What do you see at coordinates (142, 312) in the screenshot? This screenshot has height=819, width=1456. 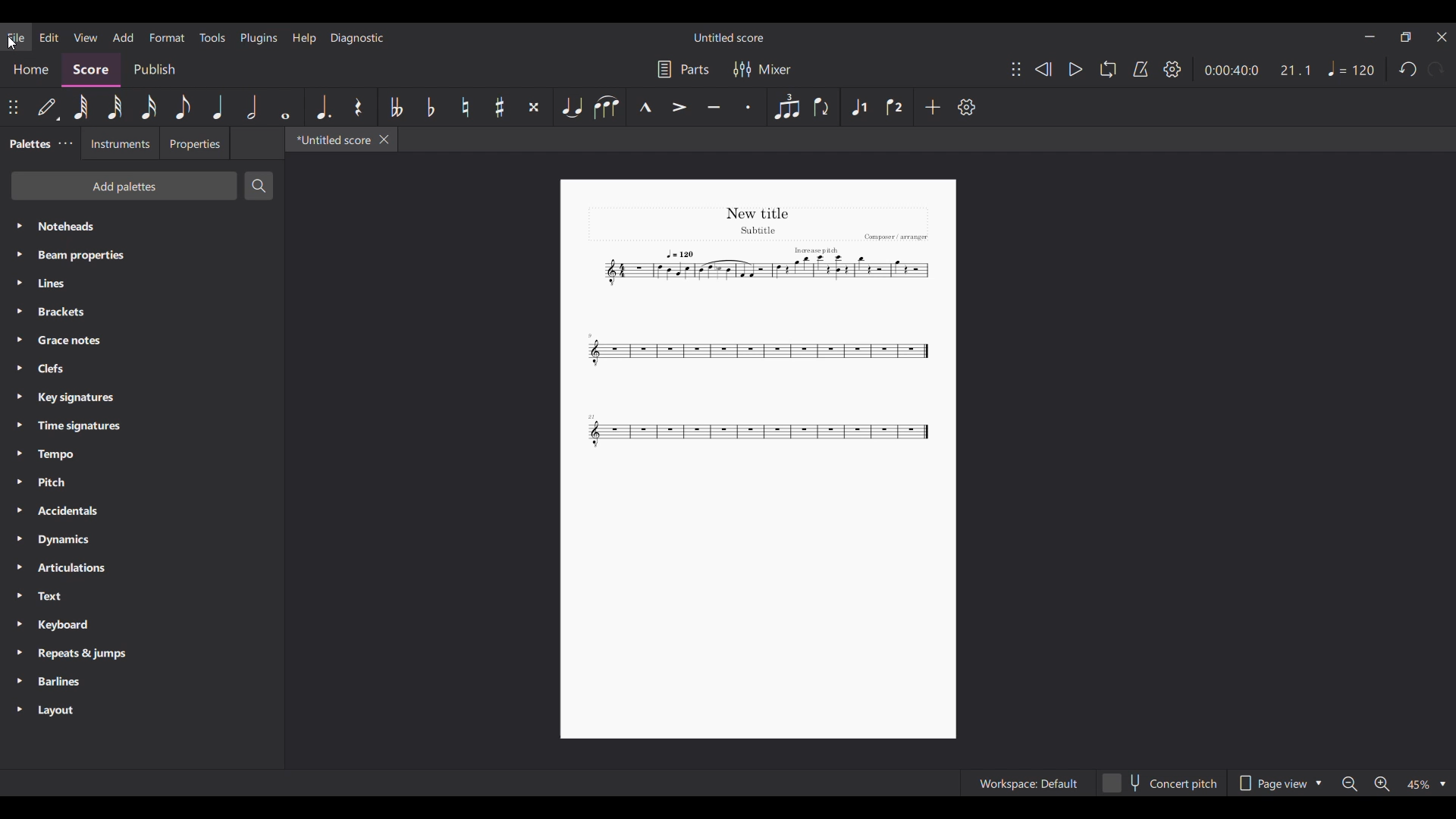 I see `Brackets` at bounding box center [142, 312].